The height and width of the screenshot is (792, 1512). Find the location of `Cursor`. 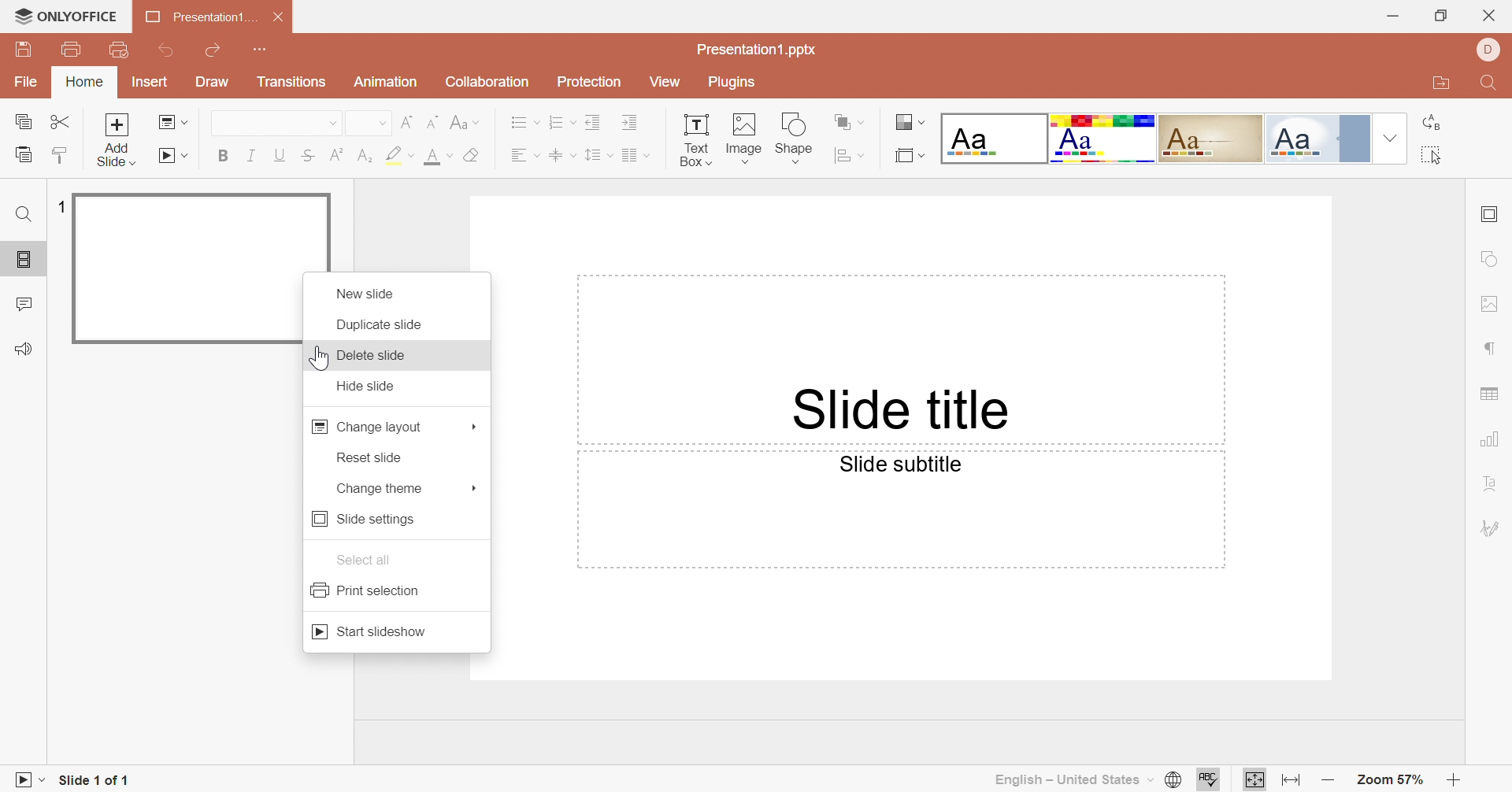

Cursor is located at coordinates (317, 358).